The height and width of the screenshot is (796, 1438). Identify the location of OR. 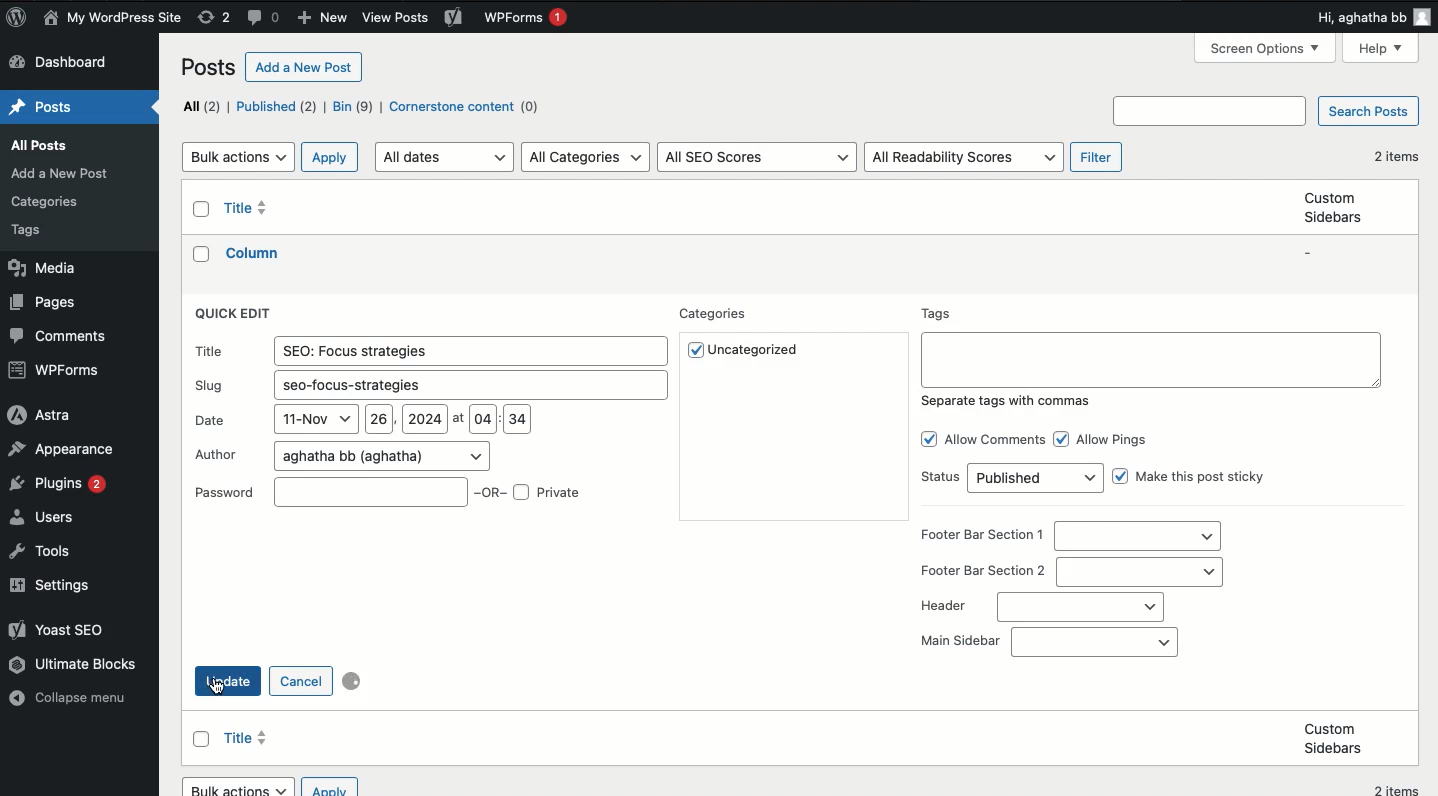
(492, 494).